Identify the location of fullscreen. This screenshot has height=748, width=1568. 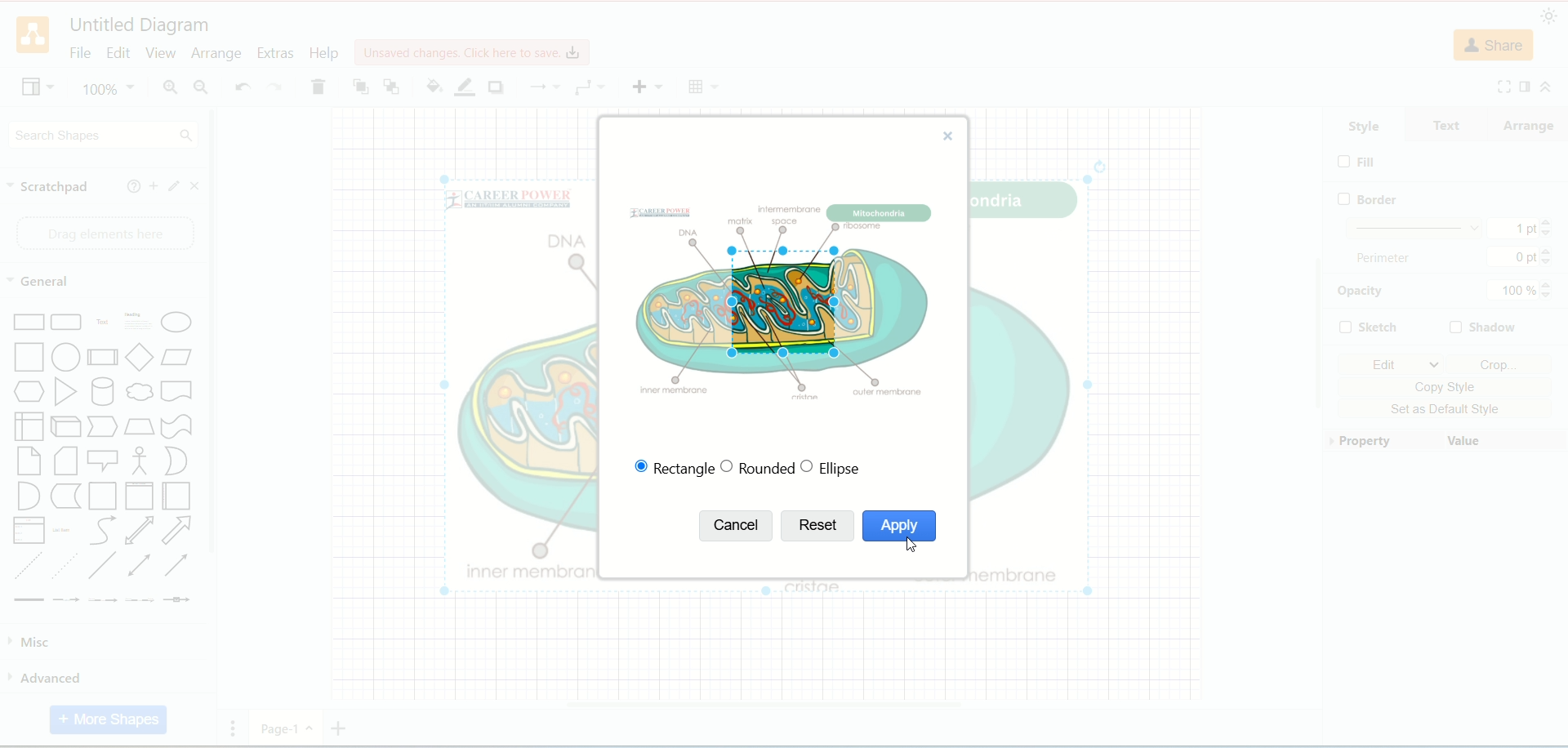
(1503, 86).